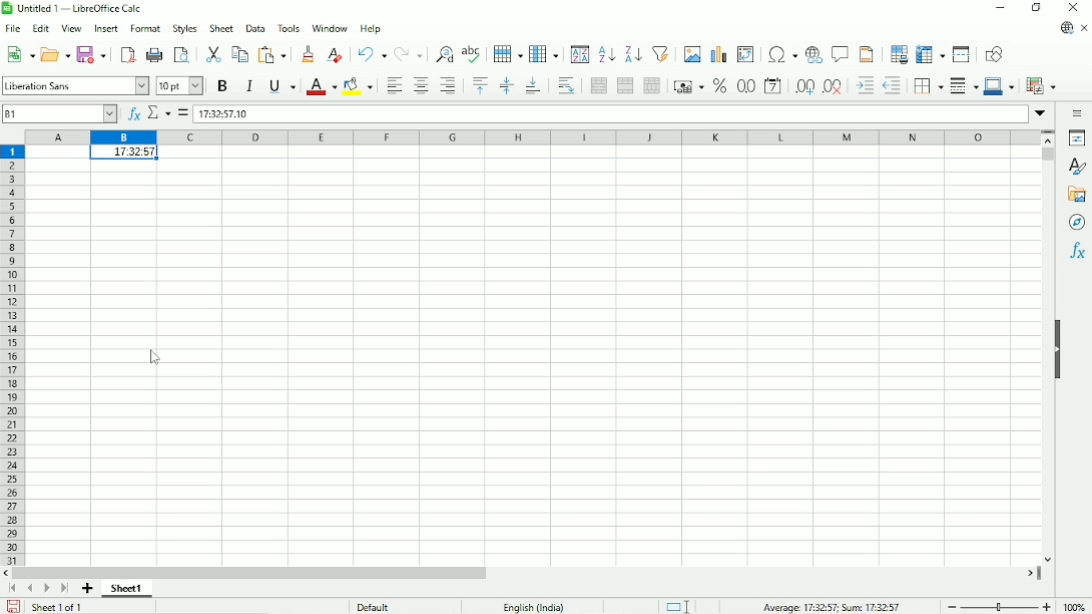  What do you see at coordinates (357, 85) in the screenshot?
I see `Background color` at bounding box center [357, 85].